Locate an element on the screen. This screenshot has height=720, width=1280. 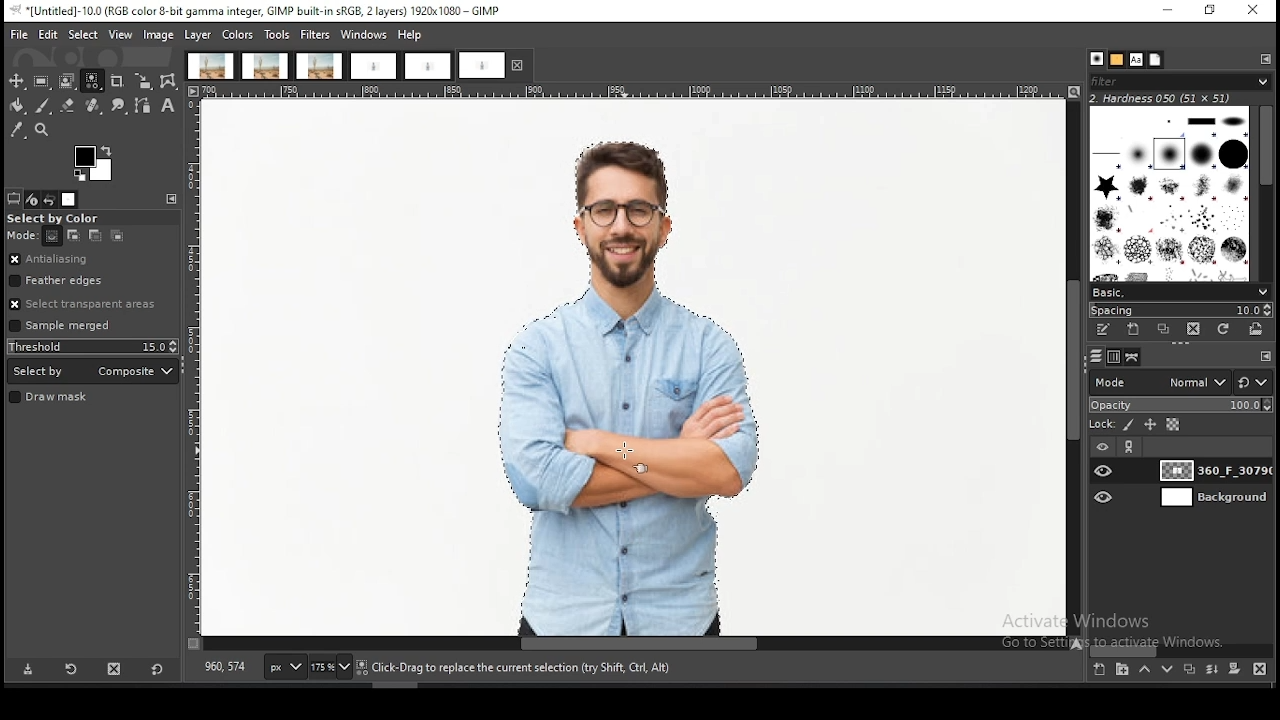
move layer one step down is located at coordinates (1164, 669).